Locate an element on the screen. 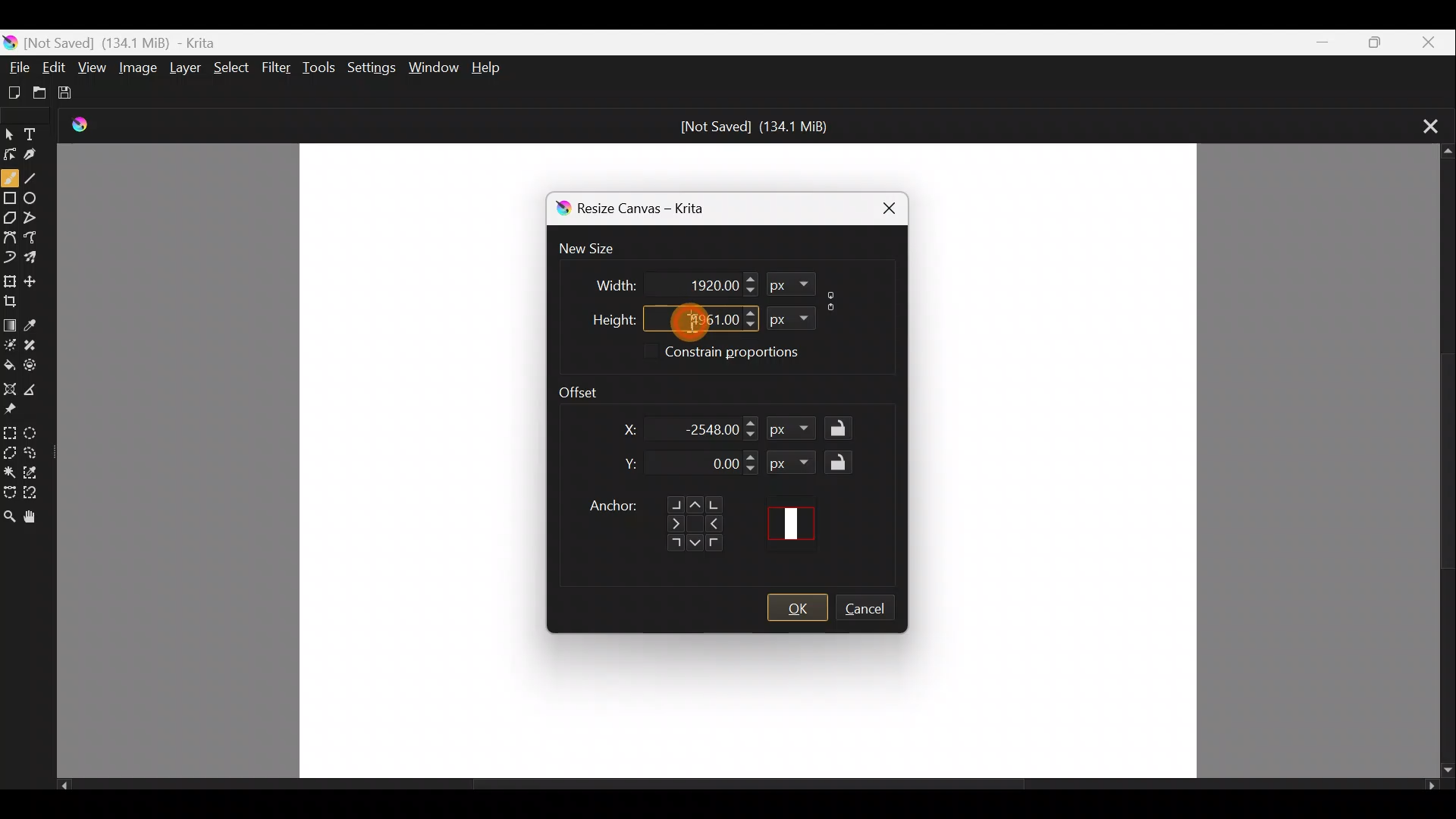  Multibrush tool is located at coordinates (38, 260).